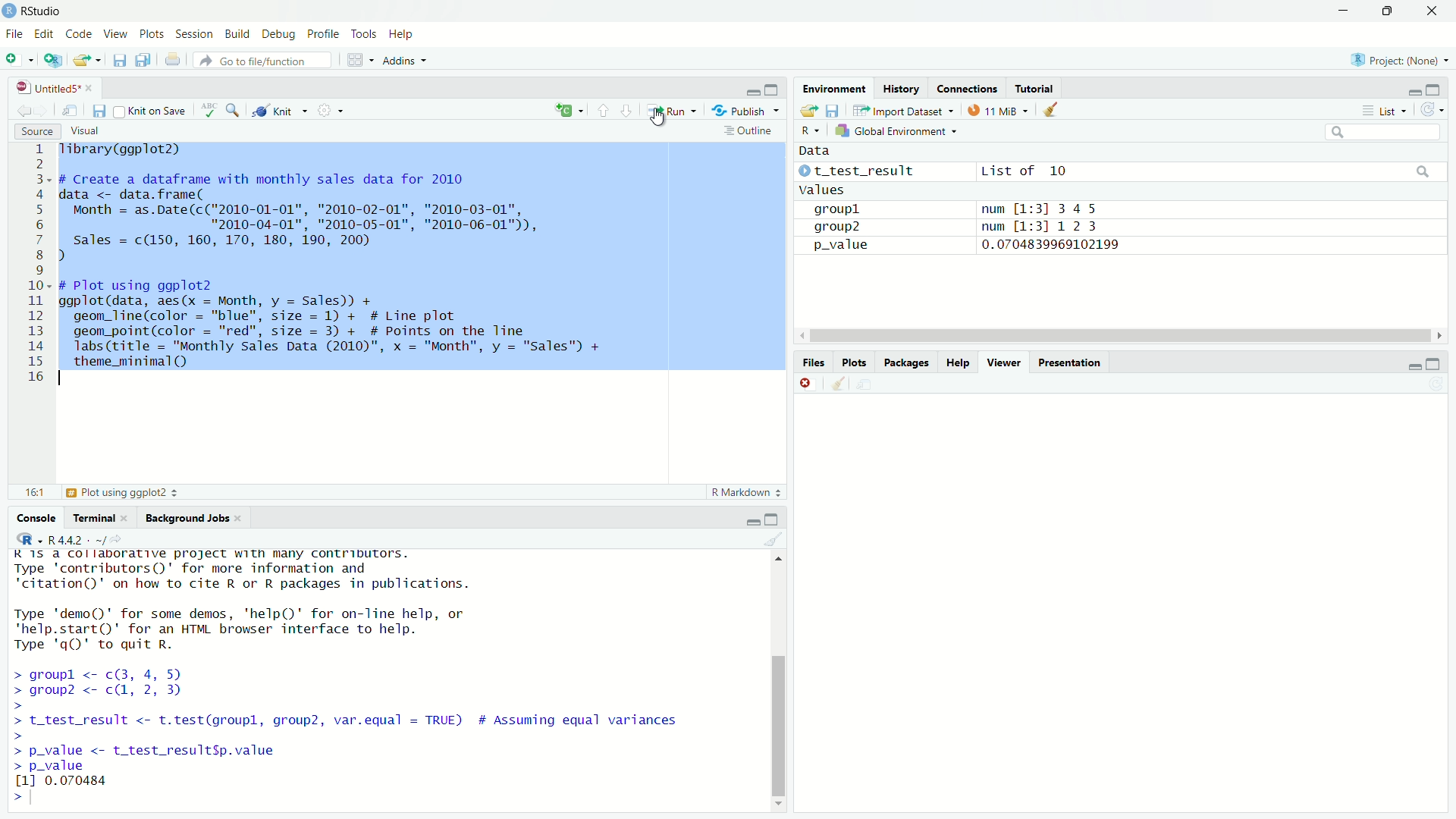 The height and width of the screenshot is (819, 1456). What do you see at coordinates (1391, 12) in the screenshot?
I see `down` at bounding box center [1391, 12].